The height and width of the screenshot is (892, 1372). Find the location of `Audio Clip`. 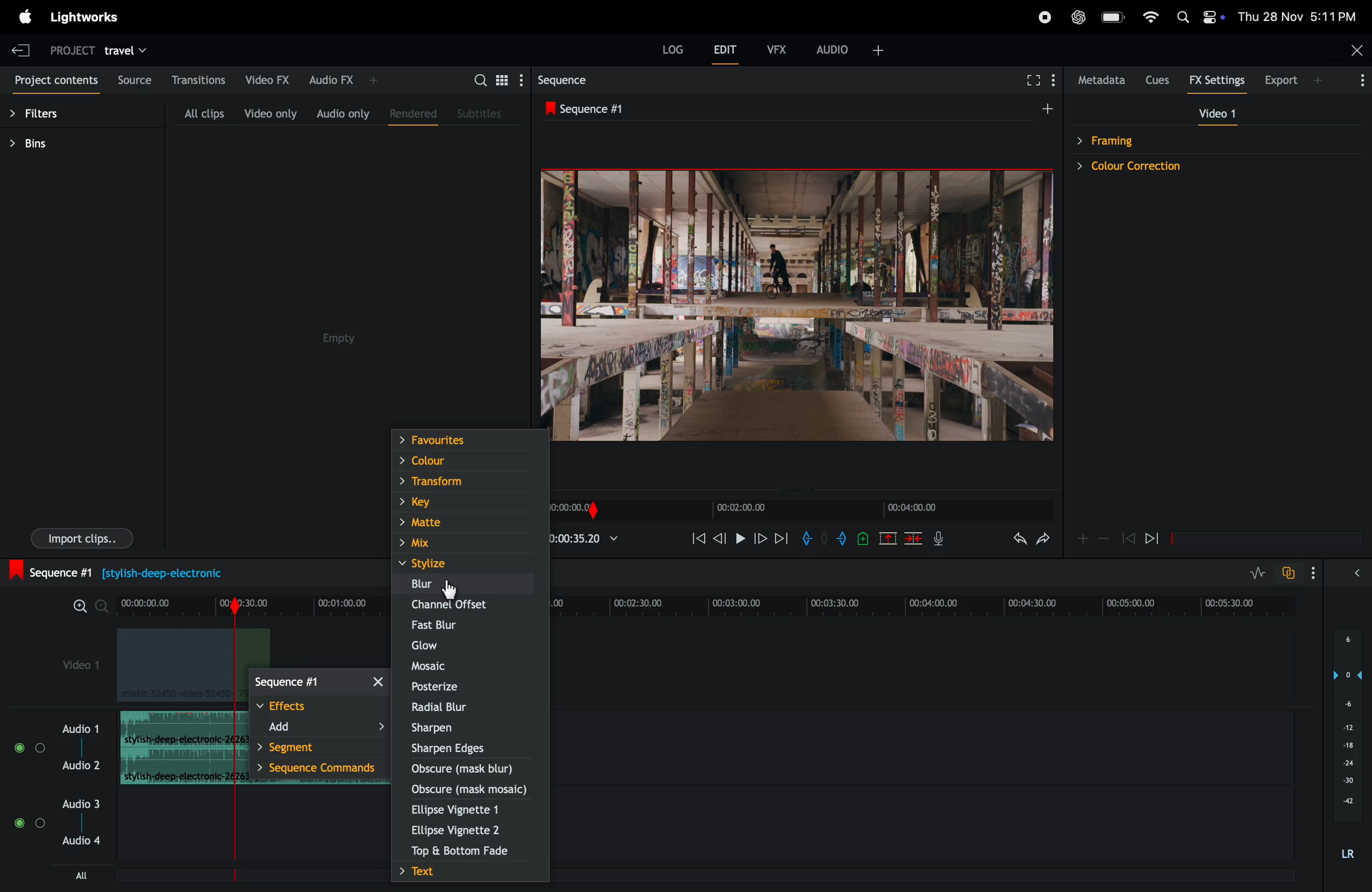

Audio Clip is located at coordinates (175, 768).